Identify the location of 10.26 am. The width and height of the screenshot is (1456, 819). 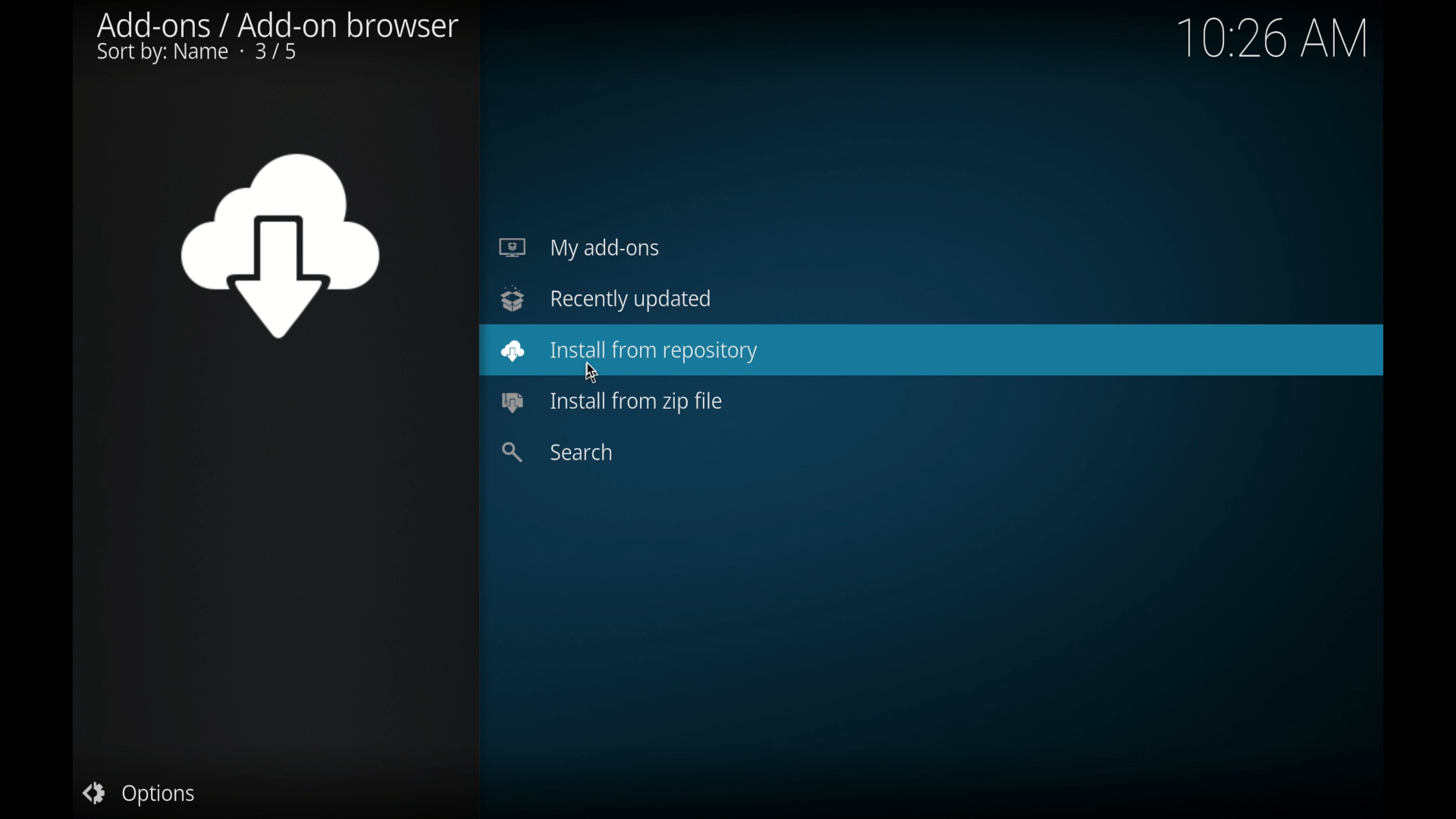
(1272, 38).